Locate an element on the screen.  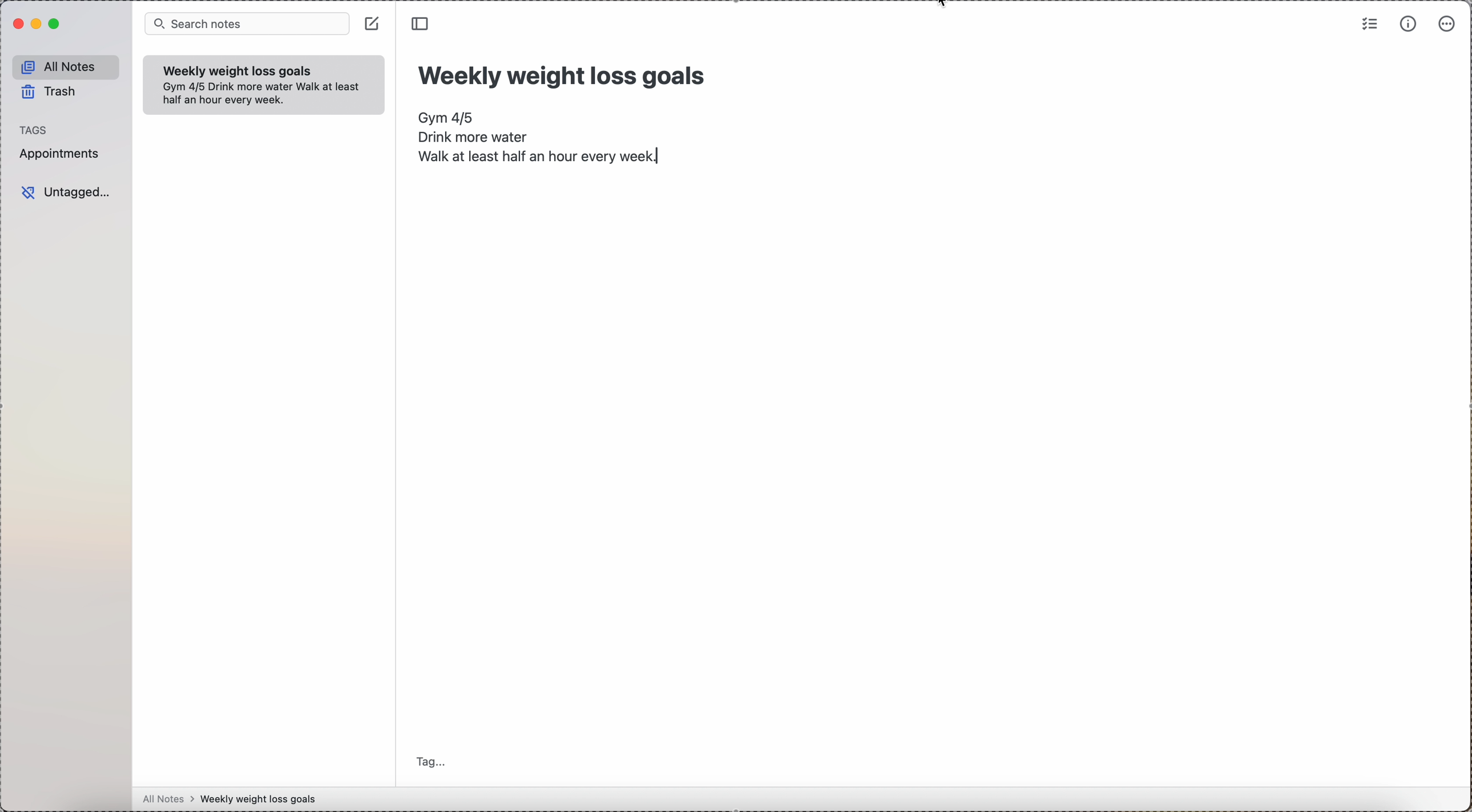
maximize Simplenote is located at coordinates (56, 24).